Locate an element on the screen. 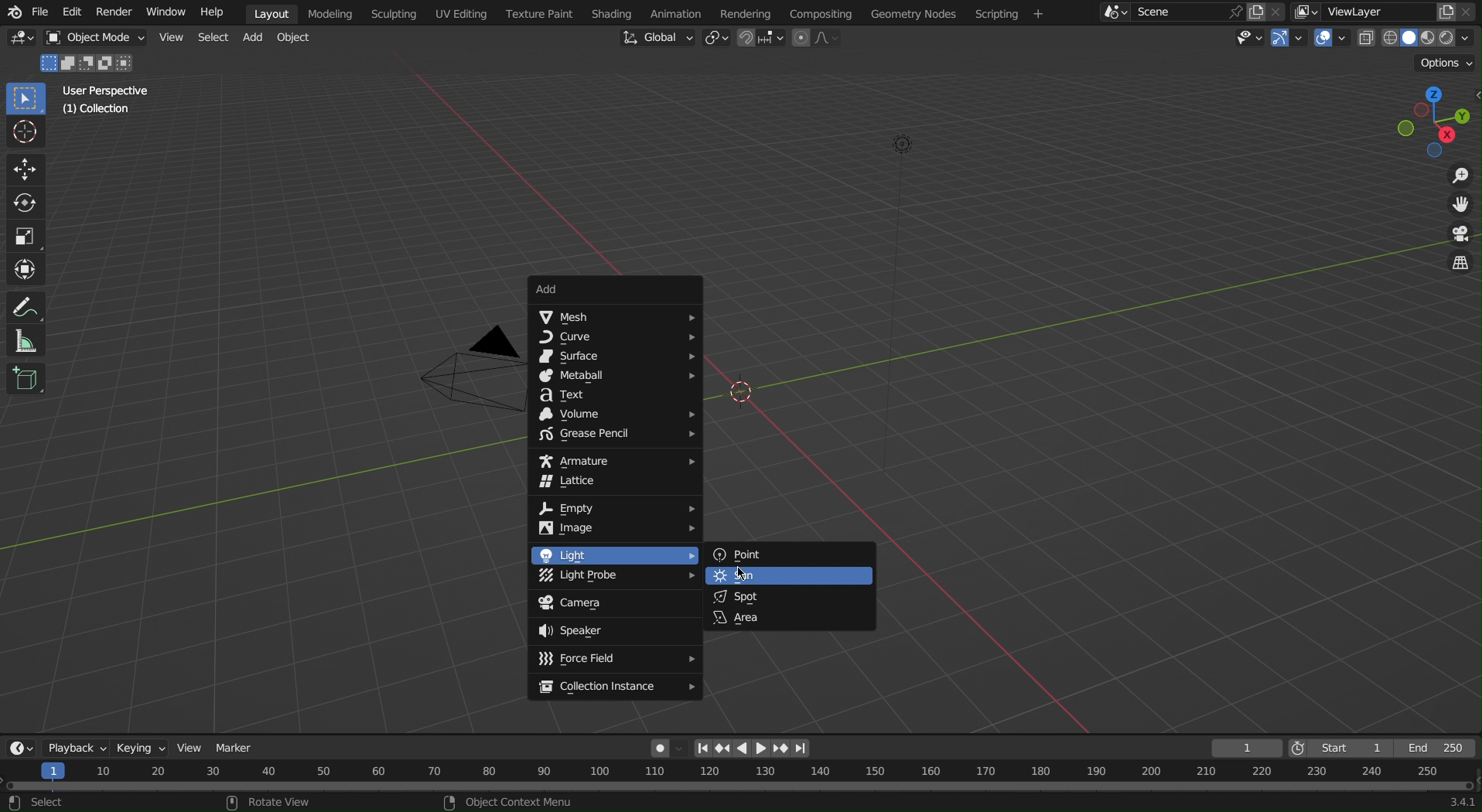 The image size is (1482, 812). Volume is located at coordinates (617, 415).